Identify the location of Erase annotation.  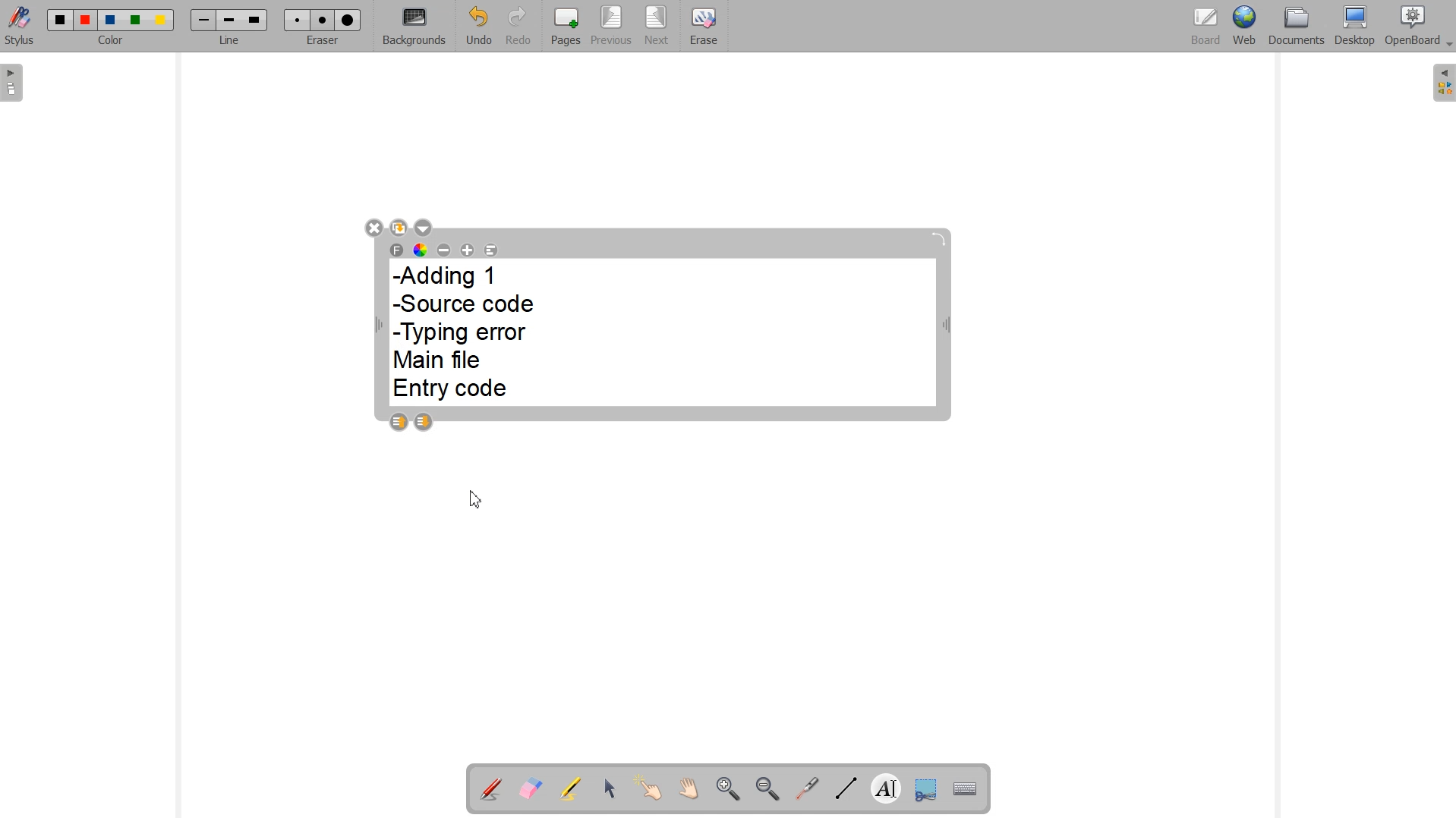
(531, 788).